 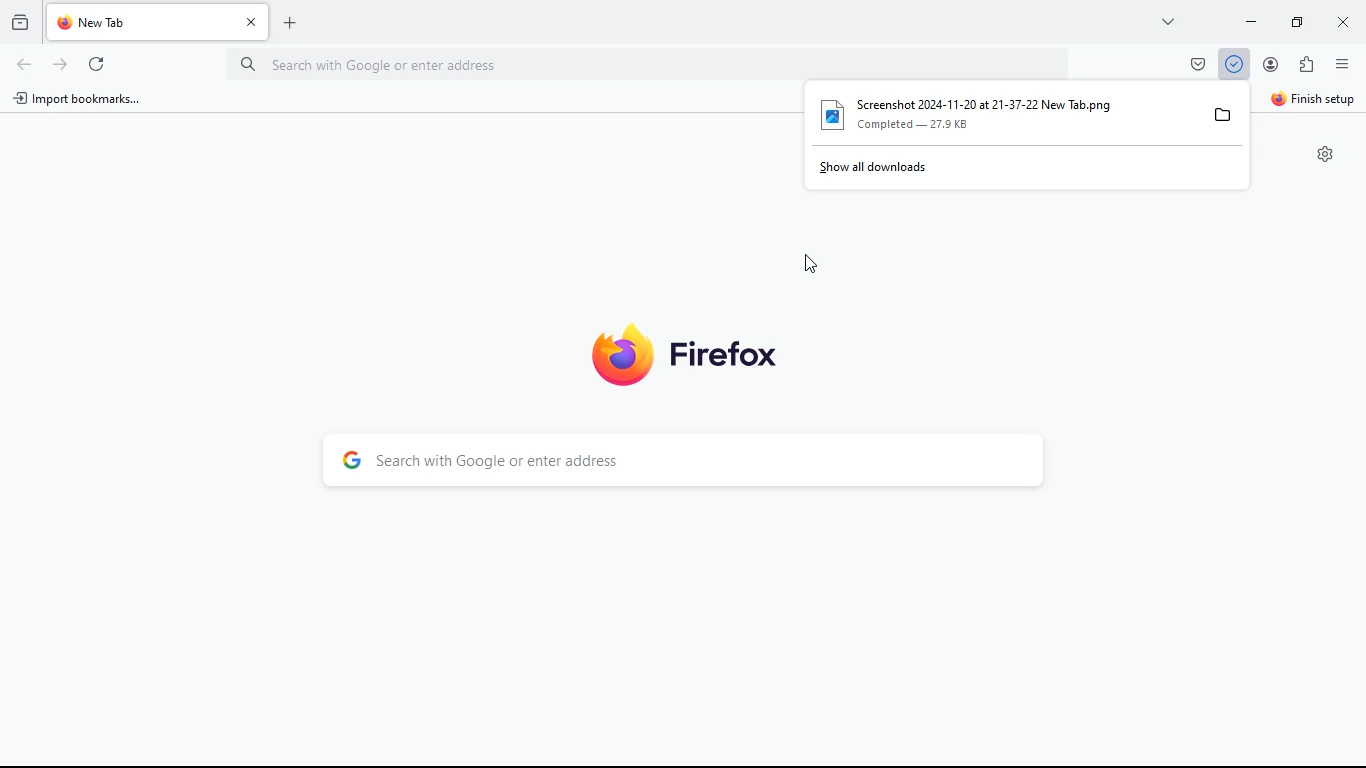 What do you see at coordinates (1294, 21) in the screenshot?
I see `minimize` at bounding box center [1294, 21].